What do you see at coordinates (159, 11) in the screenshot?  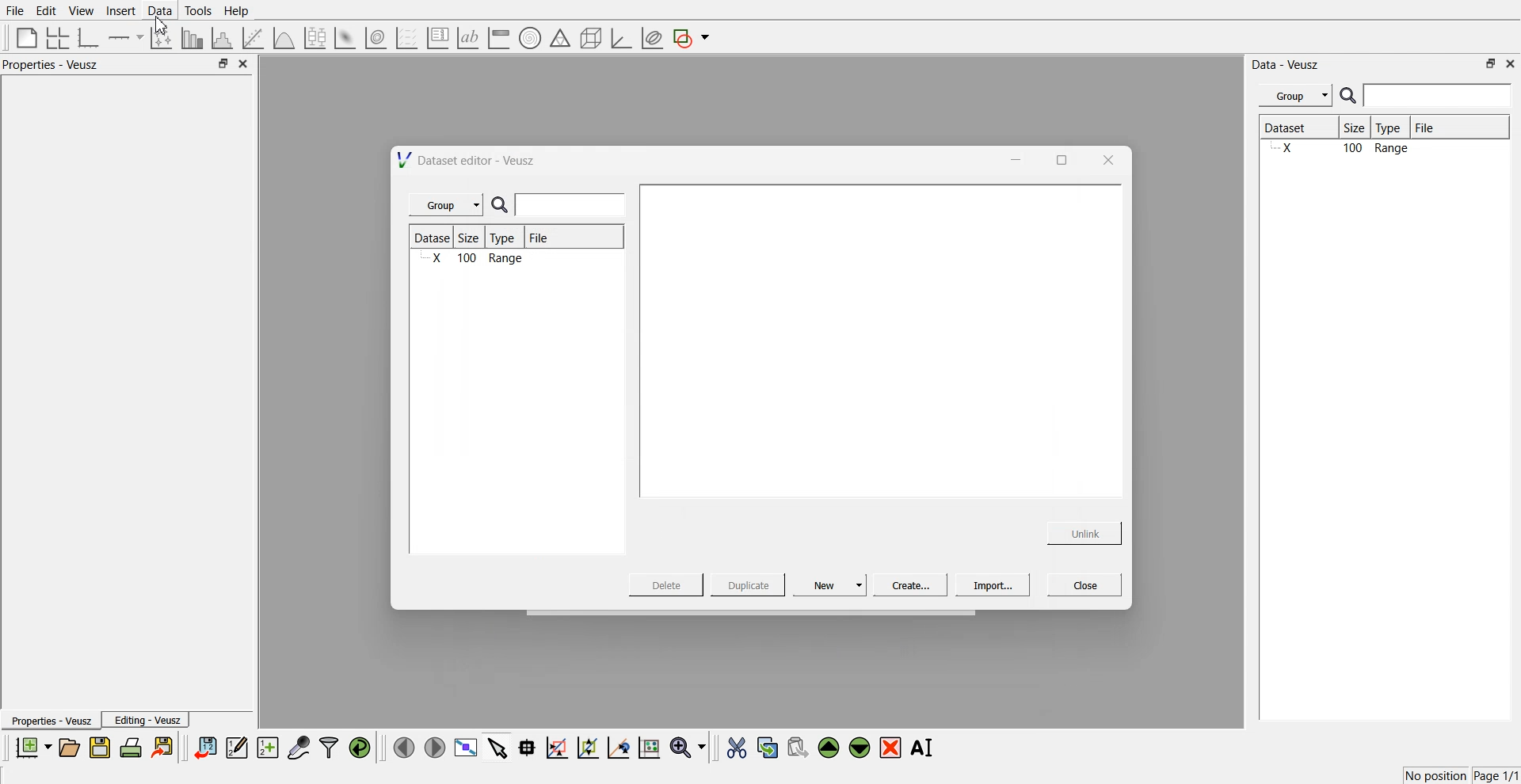 I see `Data` at bounding box center [159, 11].